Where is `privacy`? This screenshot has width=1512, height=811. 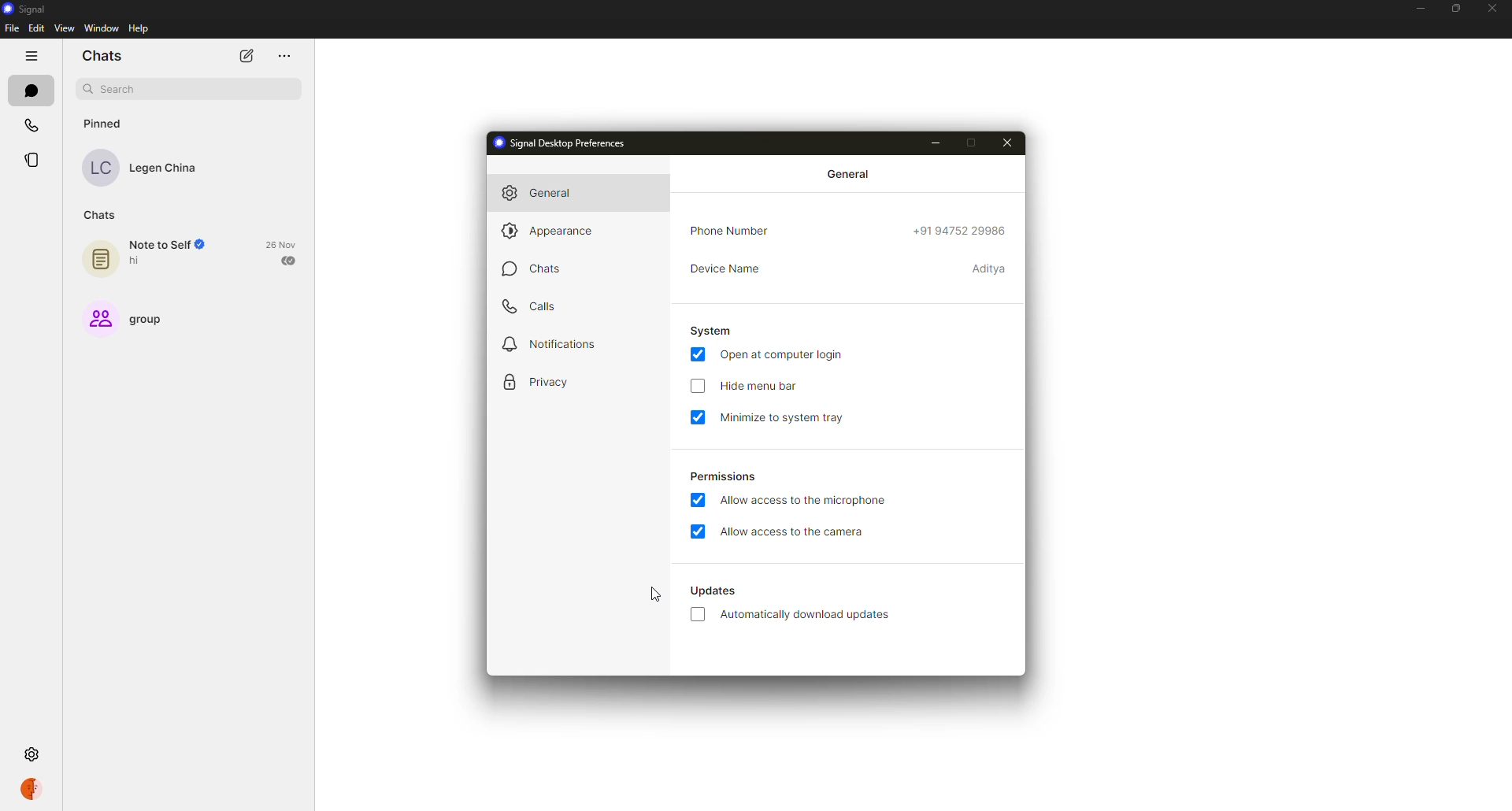
privacy is located at coordinates (536, 380).